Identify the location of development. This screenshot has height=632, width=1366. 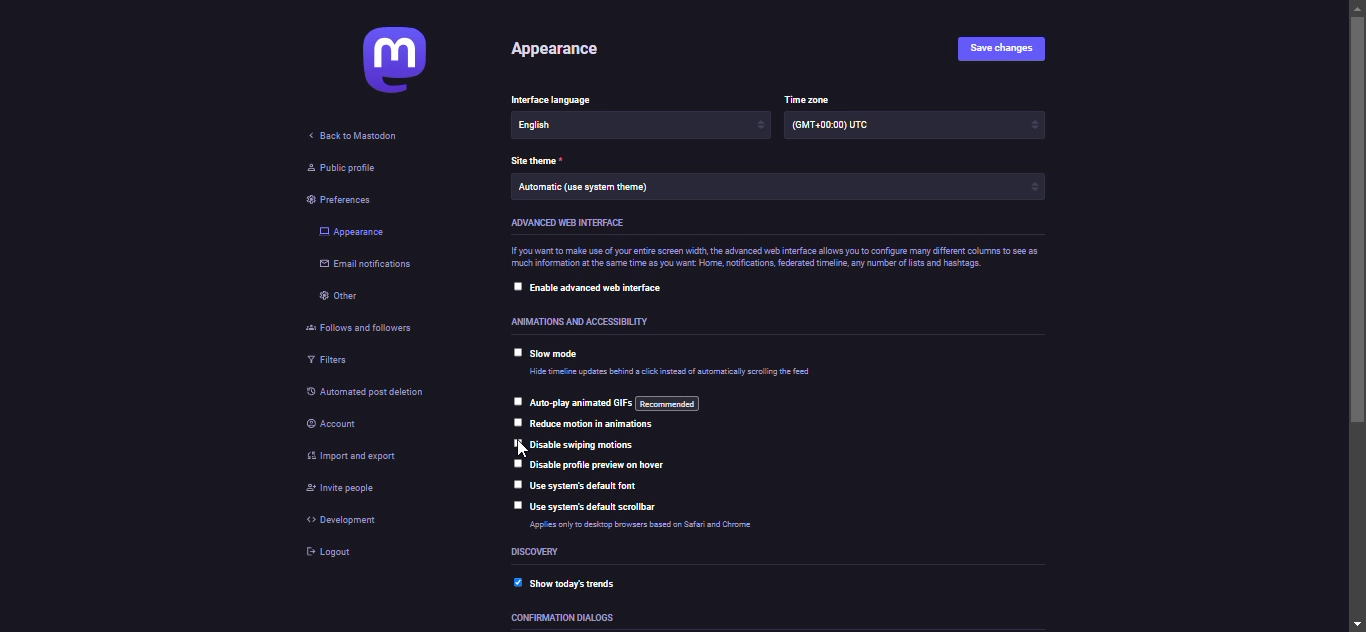
(346, 521).